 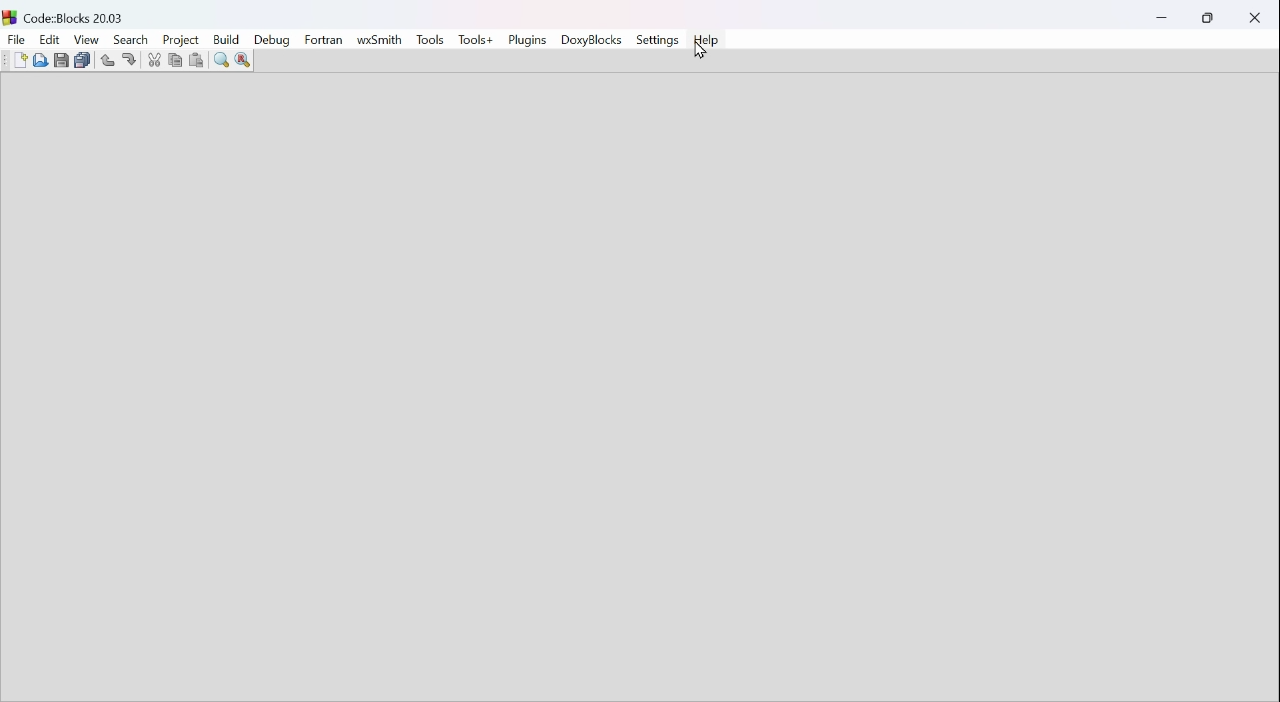 I want to click on Open, so click(x=42, y=60).